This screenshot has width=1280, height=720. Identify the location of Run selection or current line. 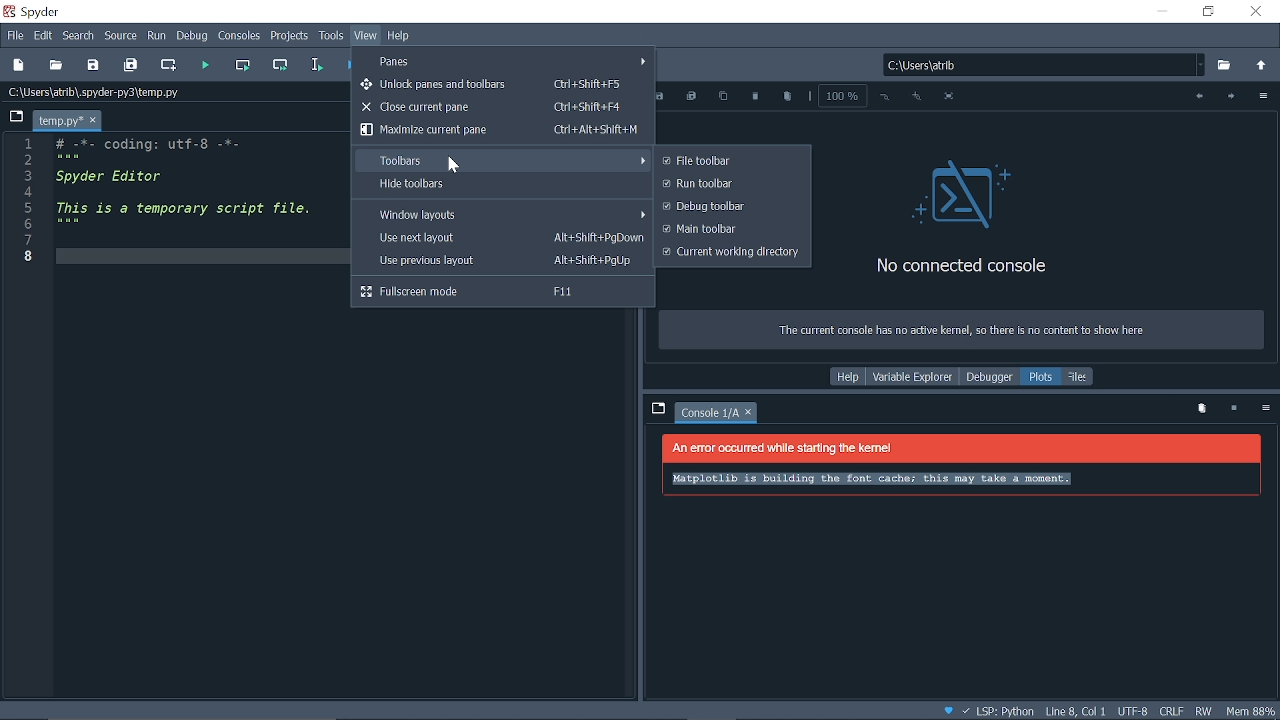
(318, 65).